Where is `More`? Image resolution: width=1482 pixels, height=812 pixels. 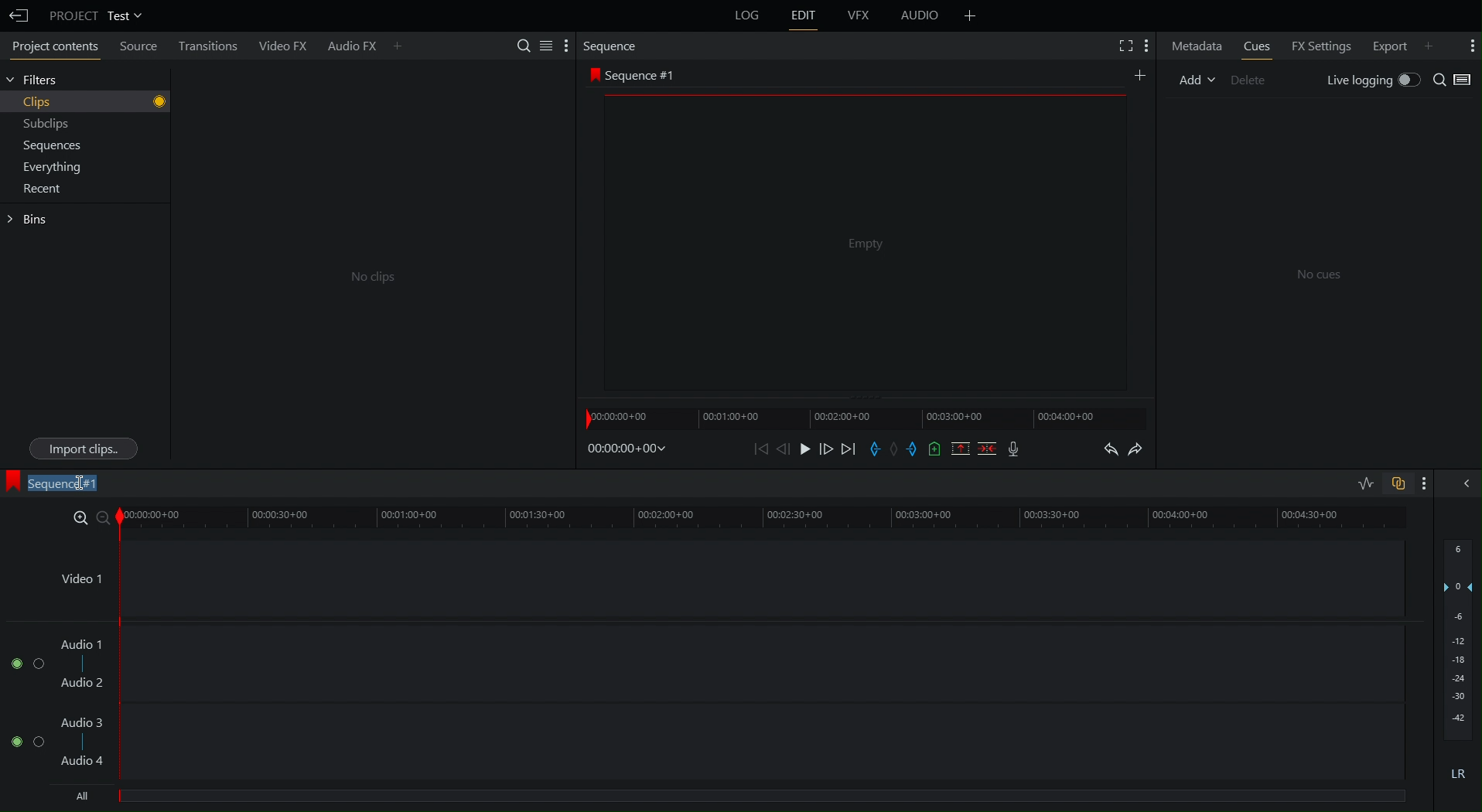 More is located at coordinates (1430, 483).